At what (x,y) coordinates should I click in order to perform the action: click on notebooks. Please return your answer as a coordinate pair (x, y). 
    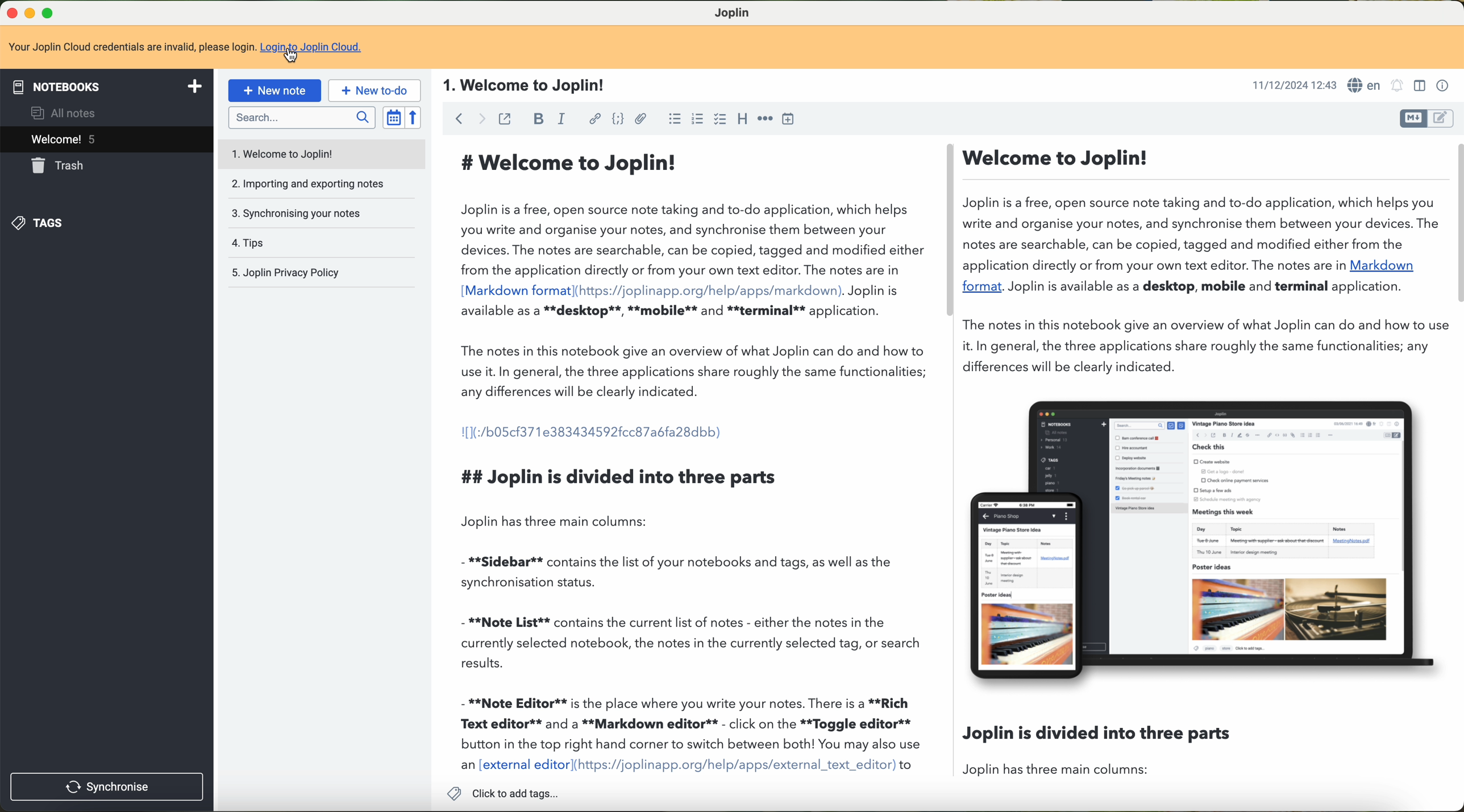
    Looking at the image, I should click on (107, 84).